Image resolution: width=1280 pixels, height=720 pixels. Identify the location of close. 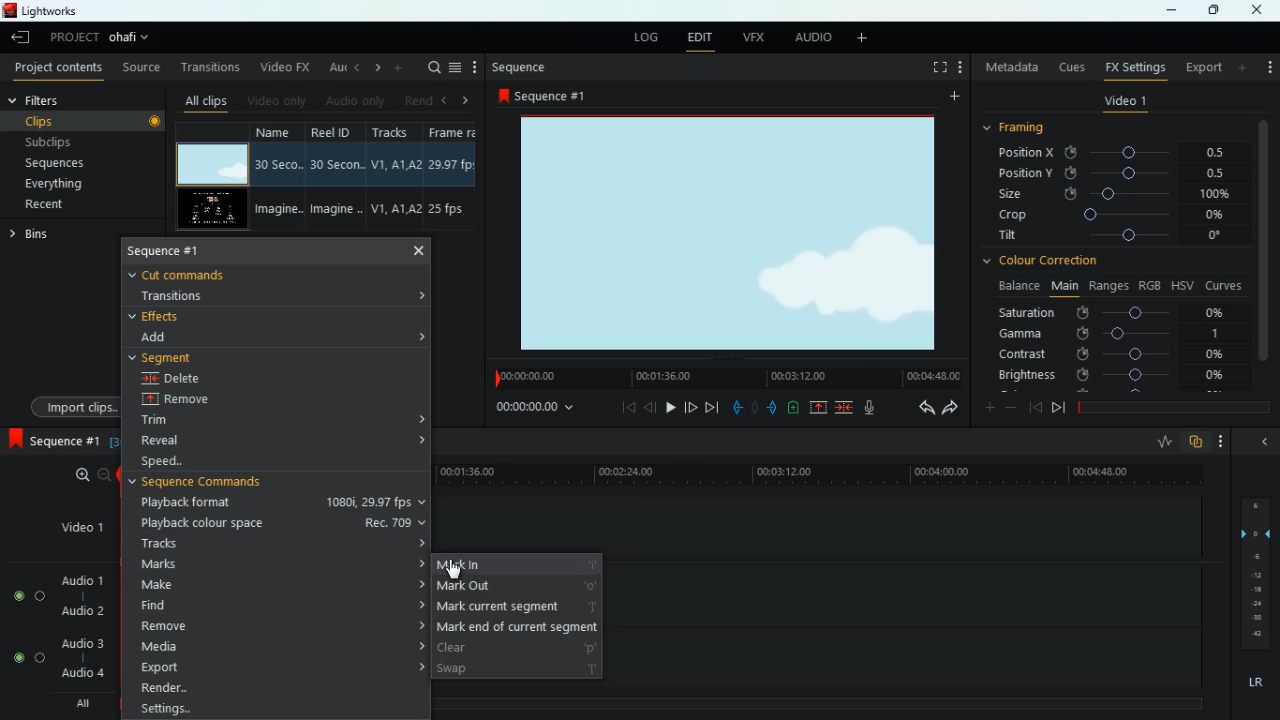
(411, 250).